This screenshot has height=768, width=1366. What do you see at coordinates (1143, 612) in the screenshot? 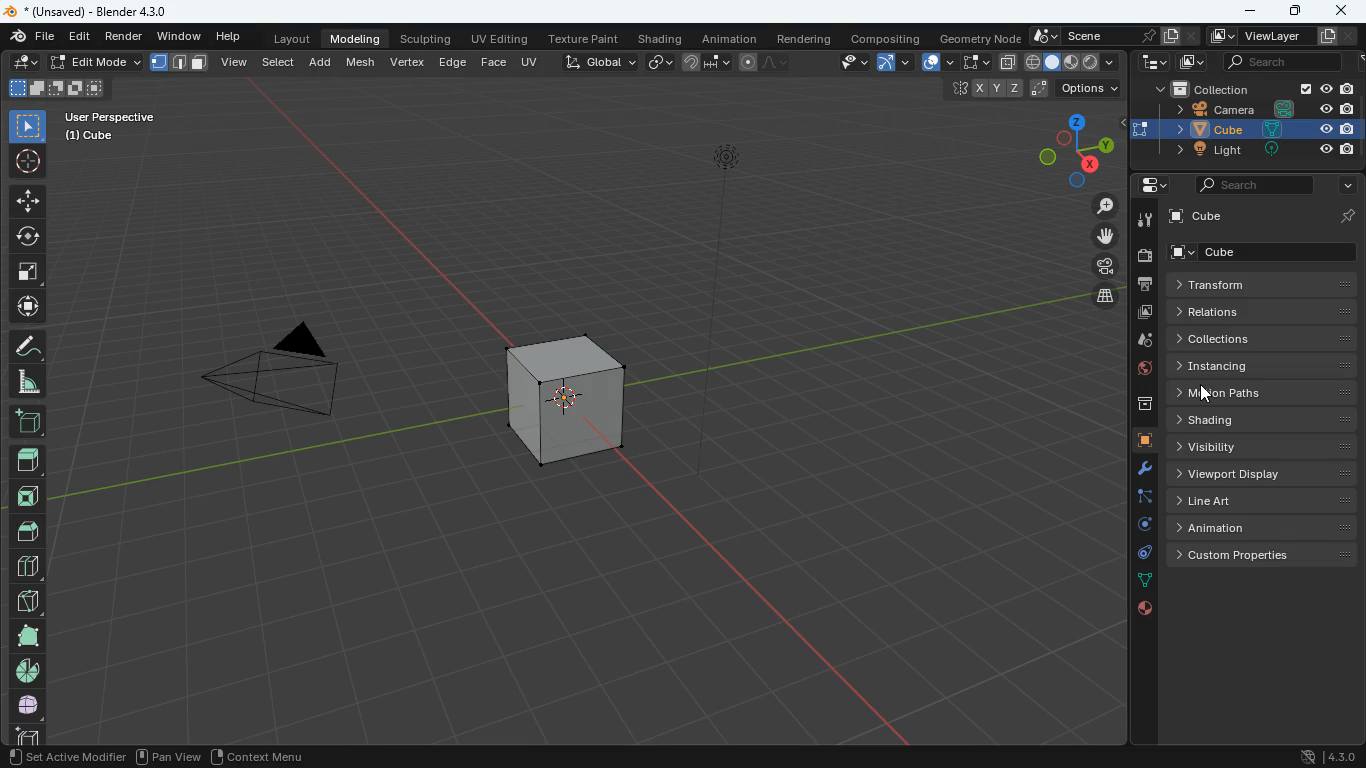
I see `public` at bounding box center [1143, 612].